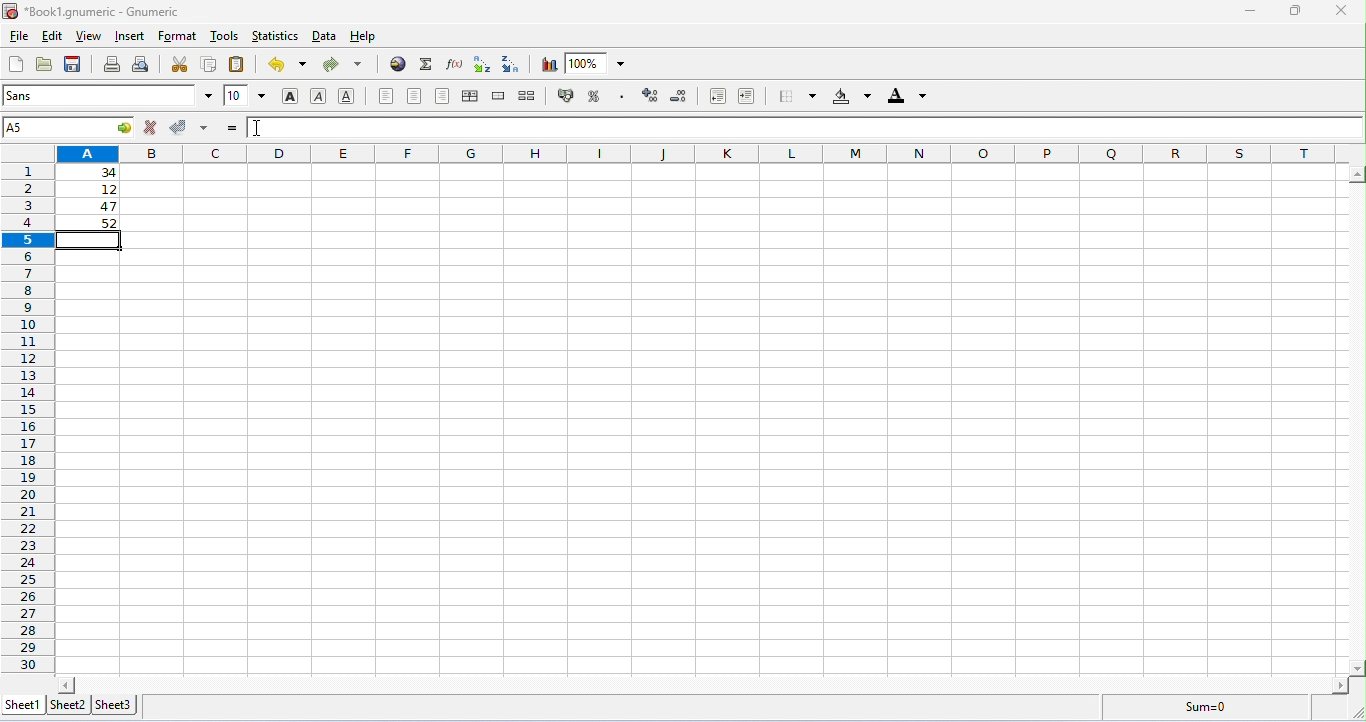  What do you see at coordinates (92, 190) in the screenshot?
I see `12` at bounding box center [92, 190].